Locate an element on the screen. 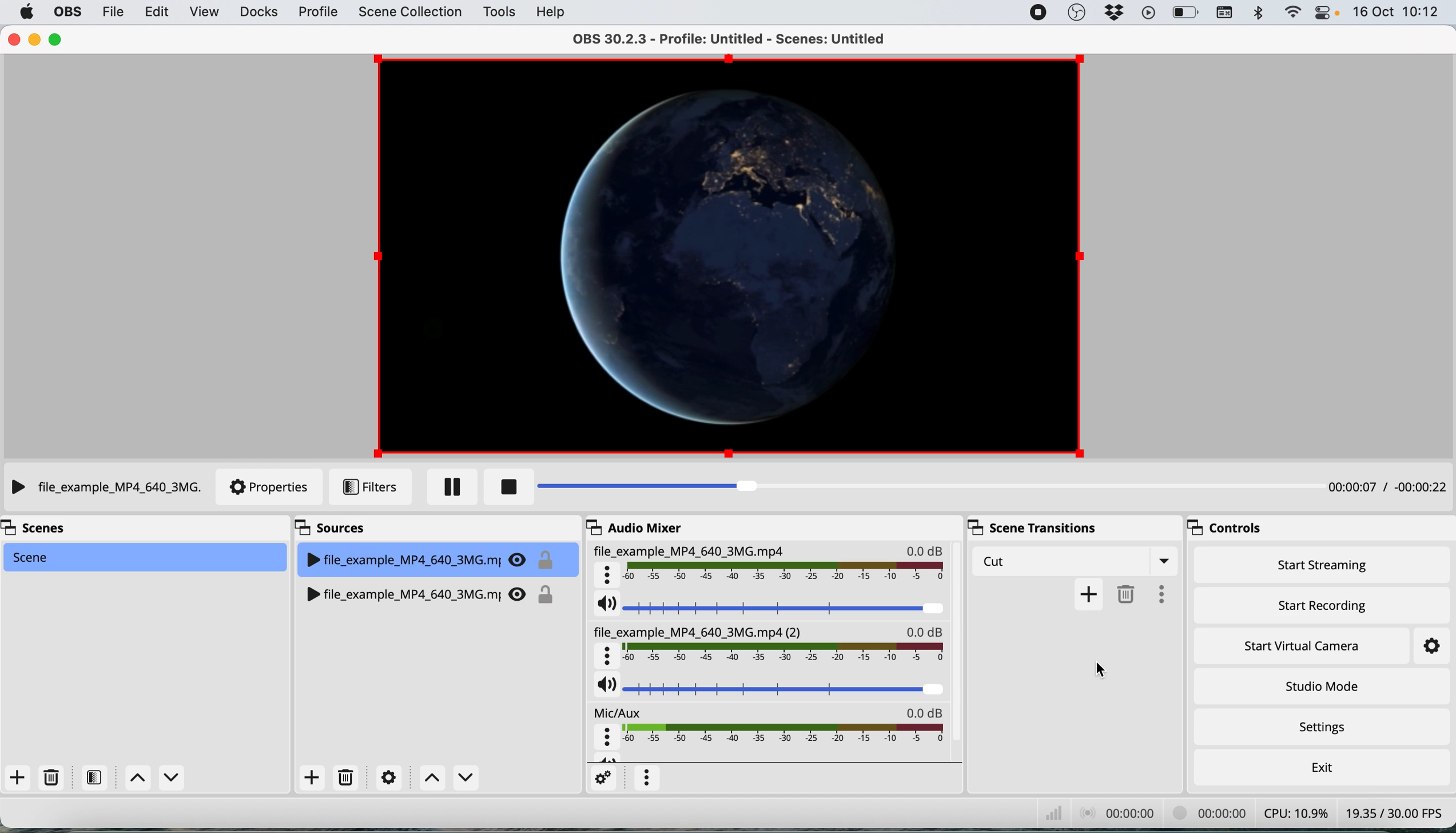  start virtual camera is located at coordinates (1305, 646).